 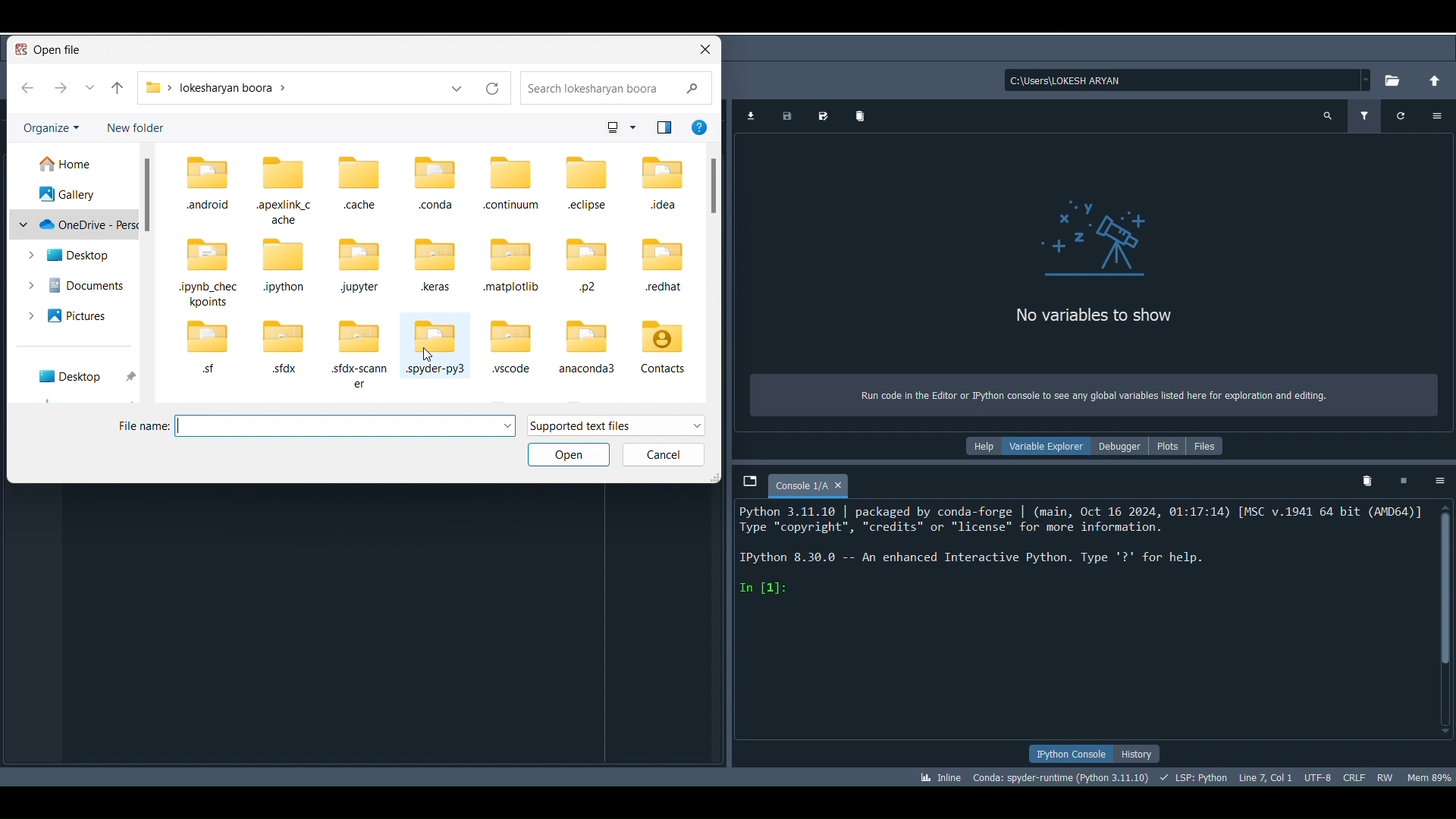 What do you see at coordinates (510, 268) in the screenshot?
I see `Folder` at bounding box center [510, 268].